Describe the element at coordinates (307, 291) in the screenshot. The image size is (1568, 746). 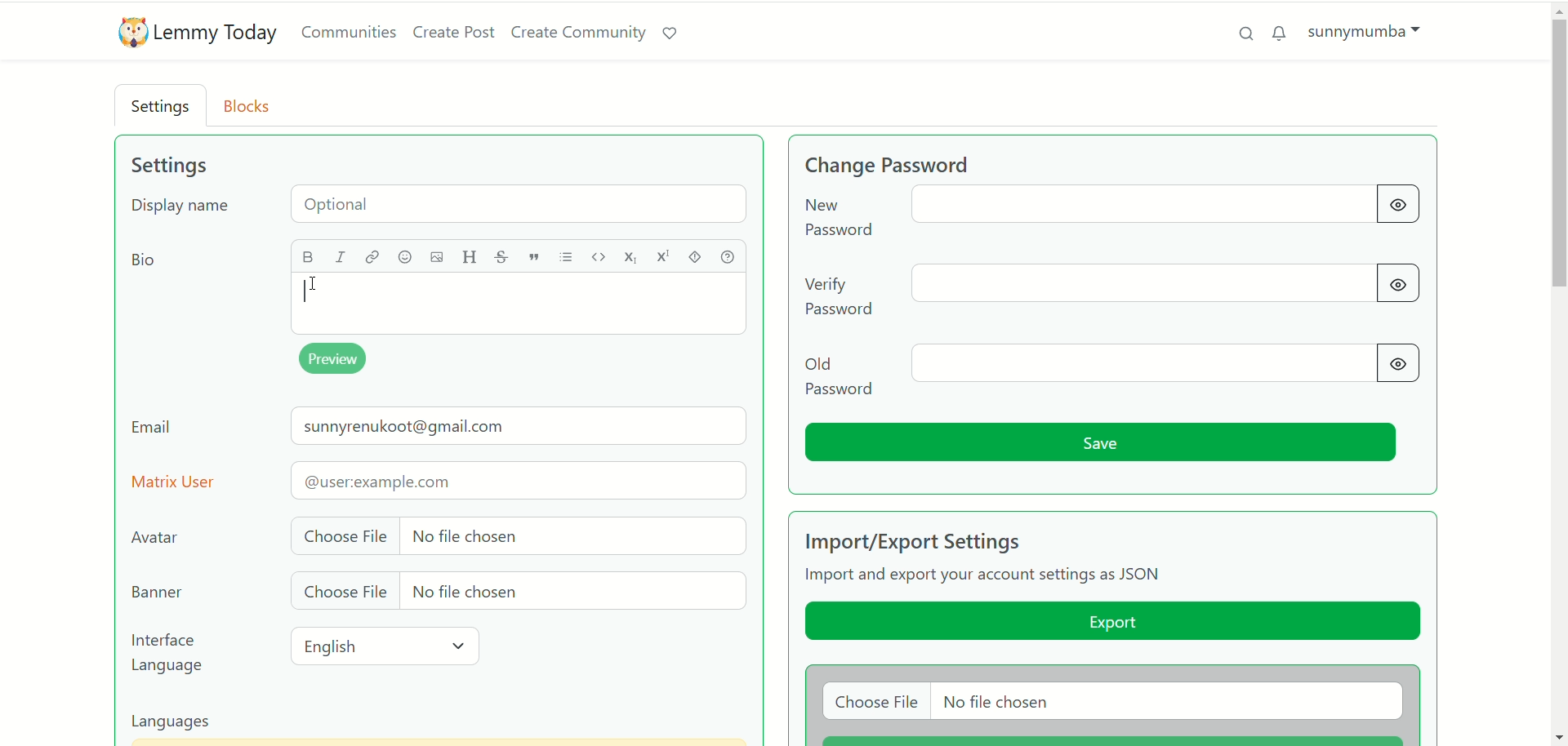
I see `Typing beam` at that location.